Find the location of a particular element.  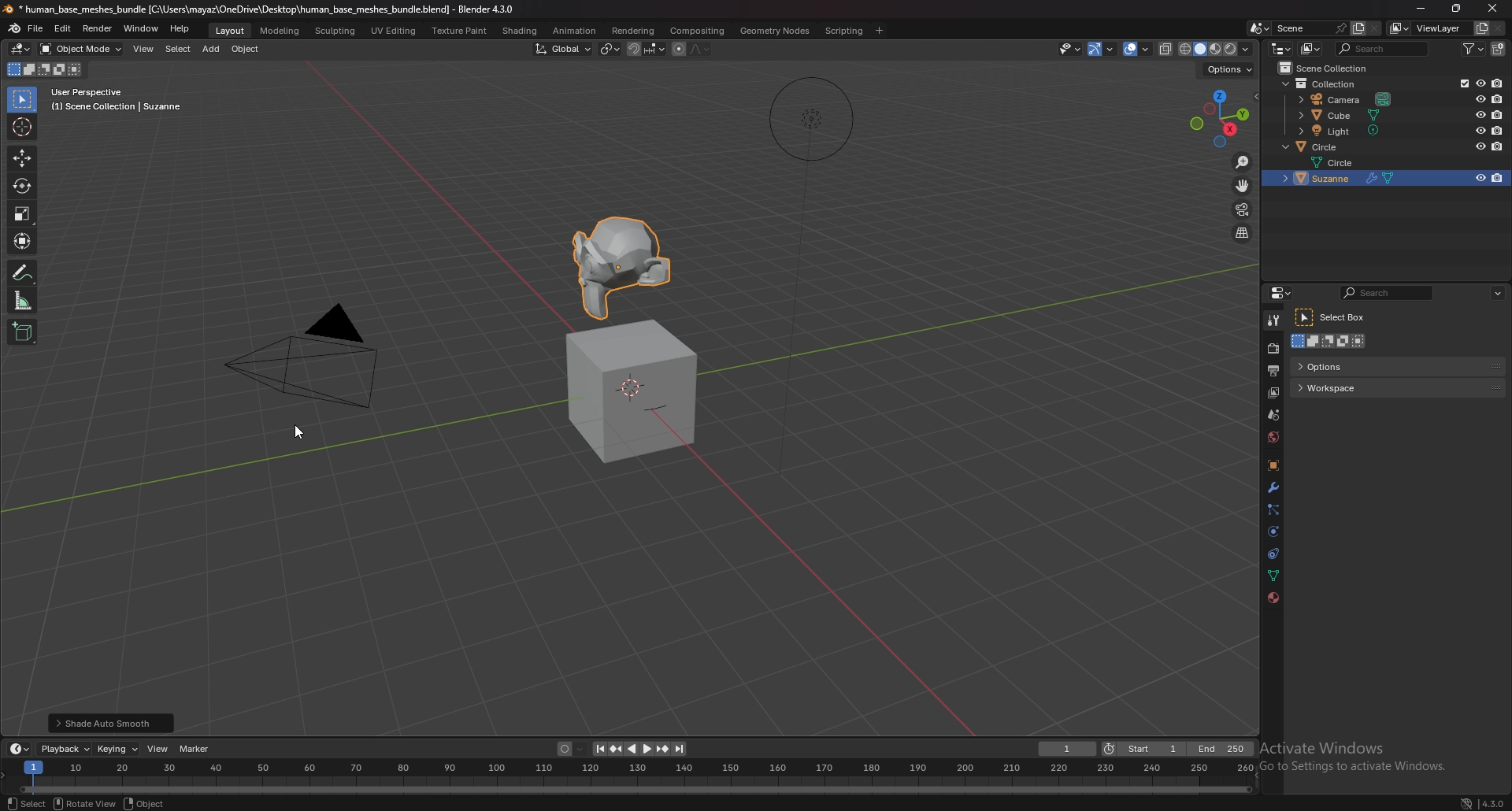

mode is located at coordinates (1331, 343).